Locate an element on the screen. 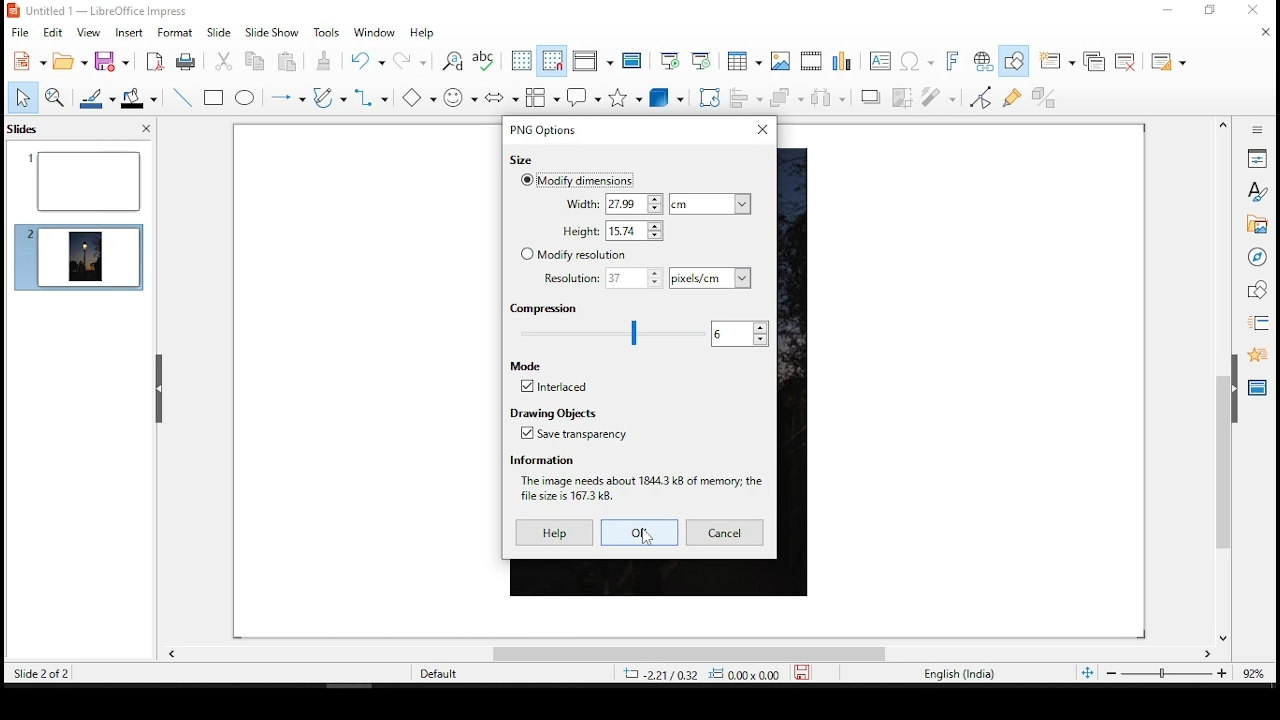 This screenshot has height=720, width=1280. acrobat as pdf is located at coordinates (155, 61).